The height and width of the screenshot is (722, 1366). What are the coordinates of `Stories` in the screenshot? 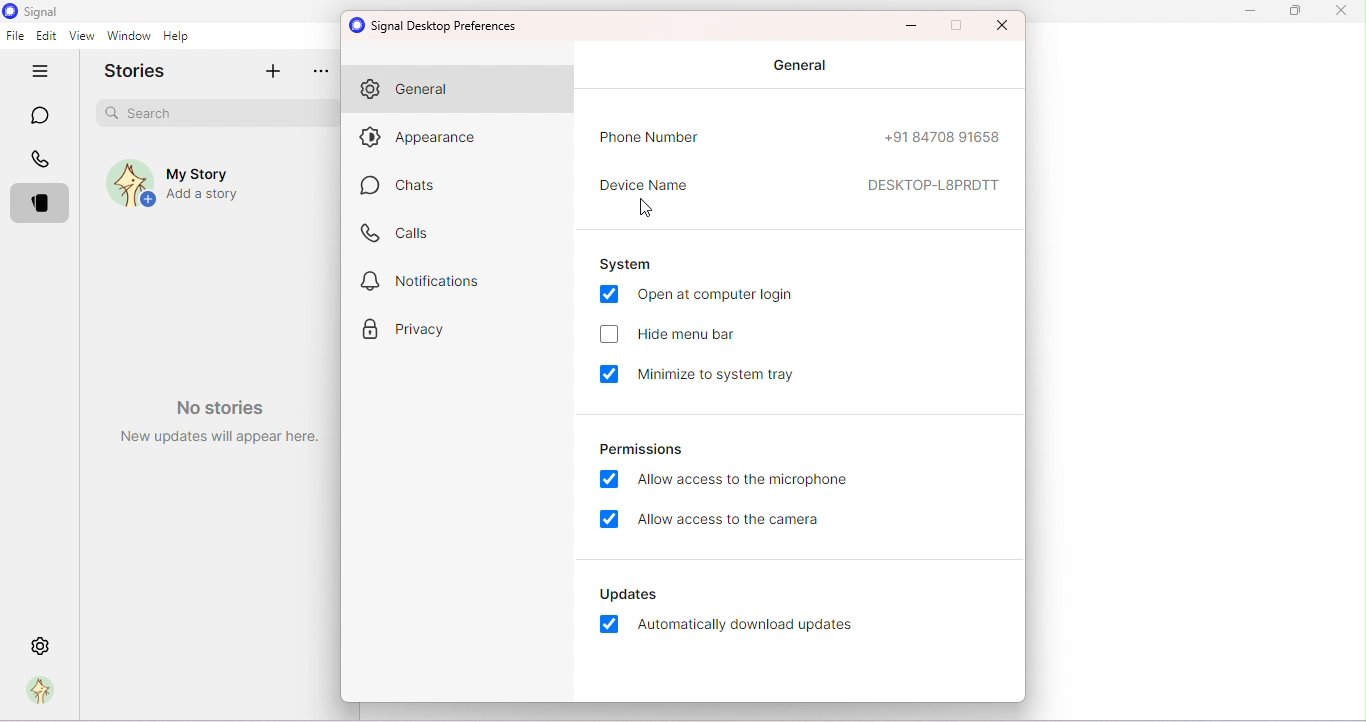 It's located at (149, 71).